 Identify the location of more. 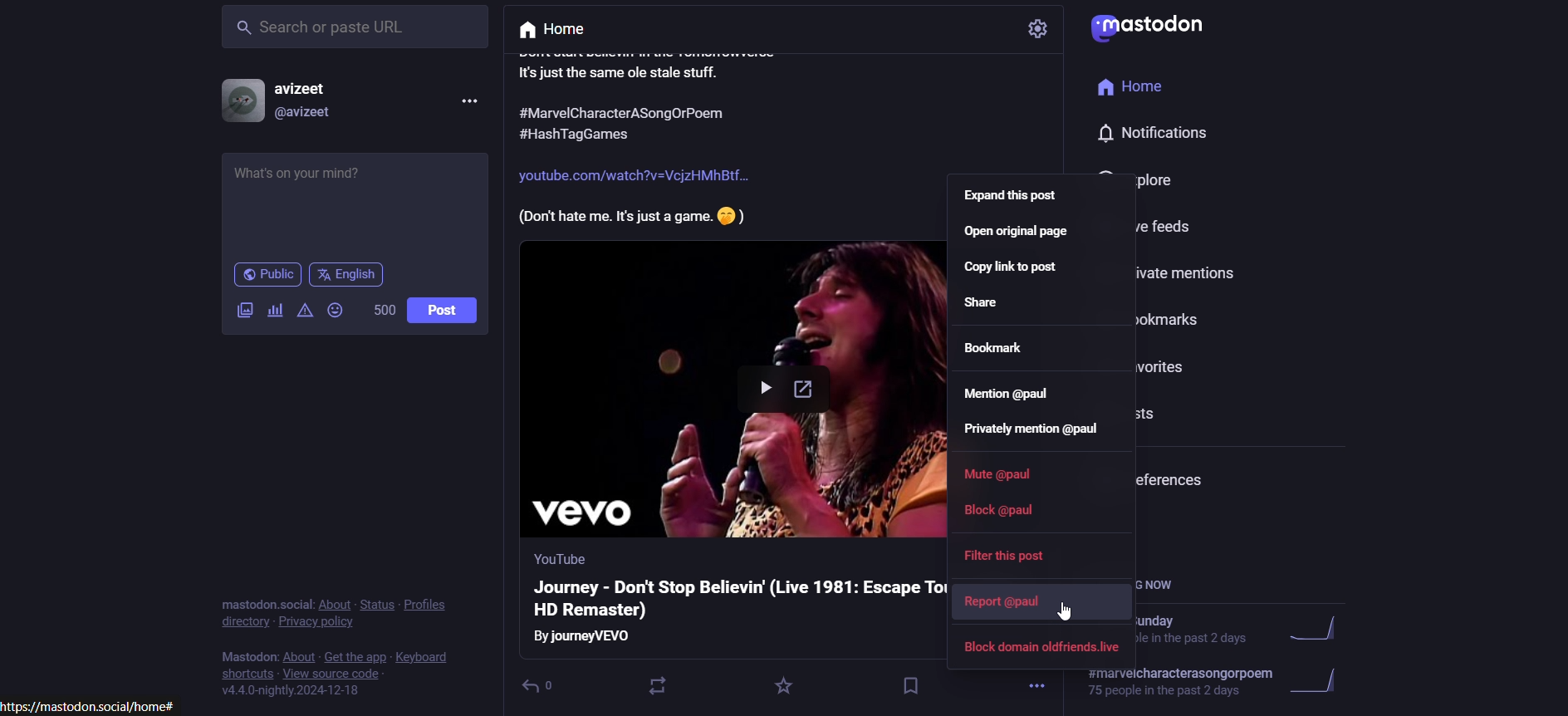
(468, 102).